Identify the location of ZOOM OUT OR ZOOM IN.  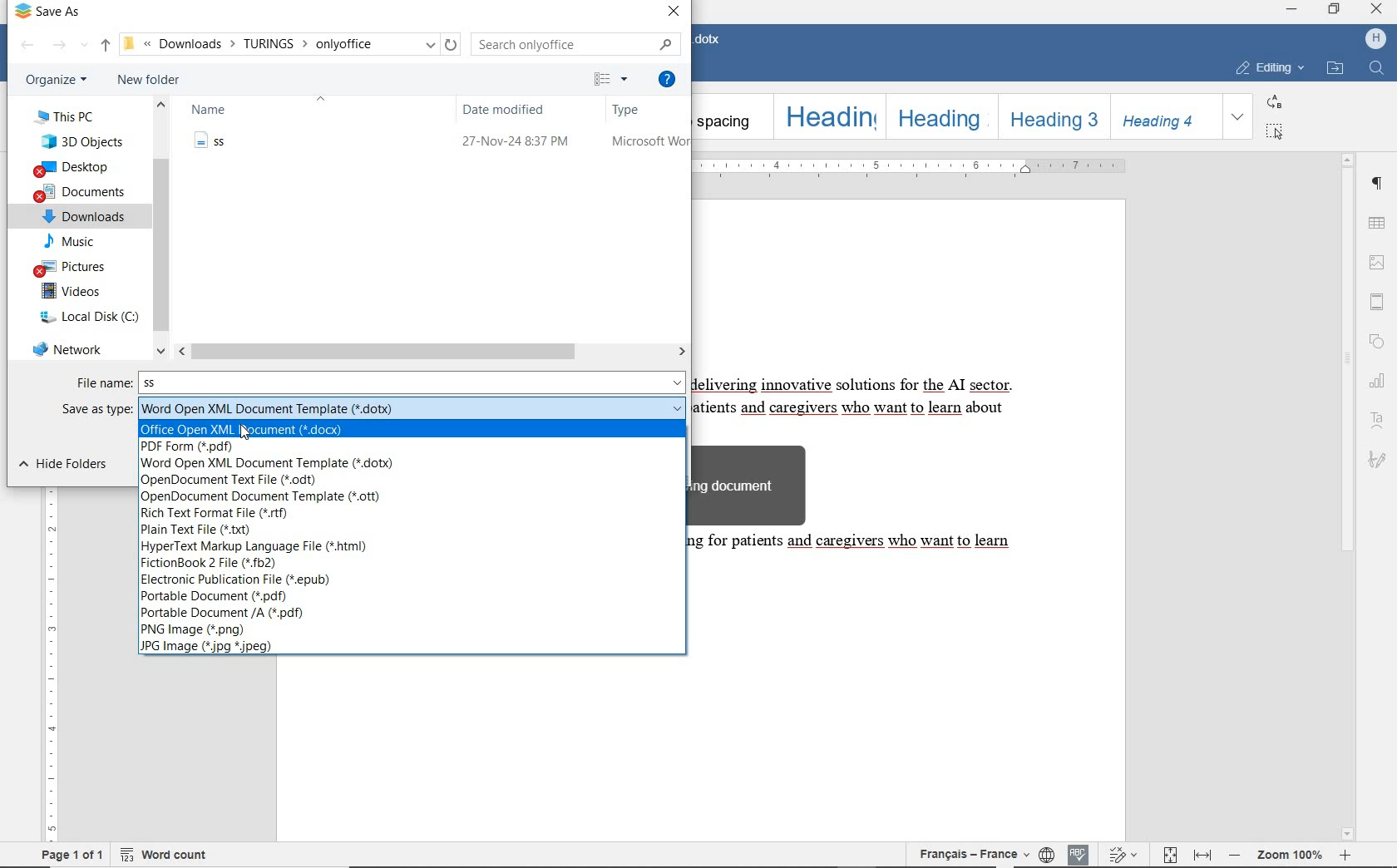
(1292, 854).